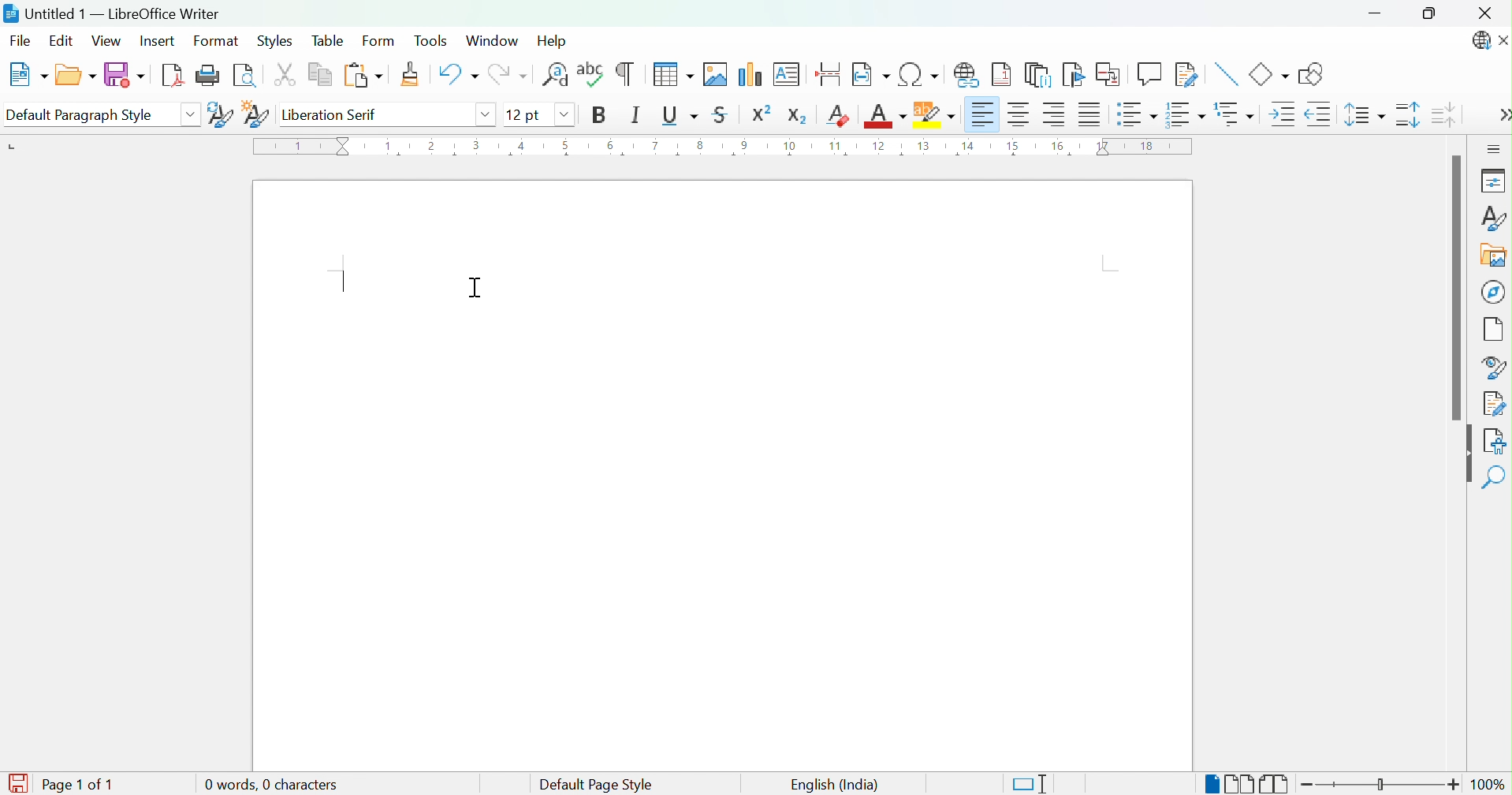 The height and width of the screenshot is (795, 1512). What do you see at coordinates (1503, 42) in the screenshot?
I see `Close` at bounding box center [1503, 42].